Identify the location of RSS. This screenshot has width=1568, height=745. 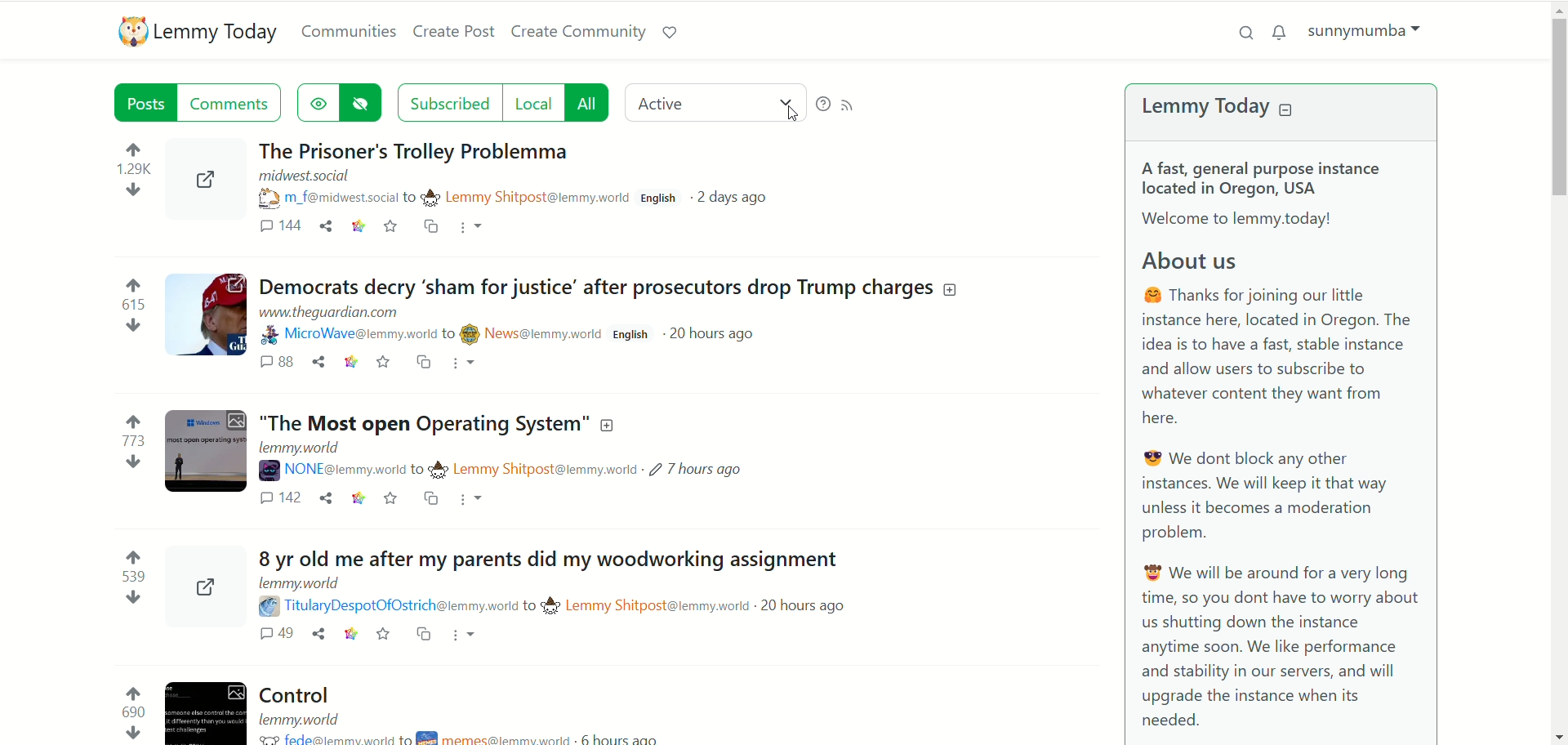
(851, 105).